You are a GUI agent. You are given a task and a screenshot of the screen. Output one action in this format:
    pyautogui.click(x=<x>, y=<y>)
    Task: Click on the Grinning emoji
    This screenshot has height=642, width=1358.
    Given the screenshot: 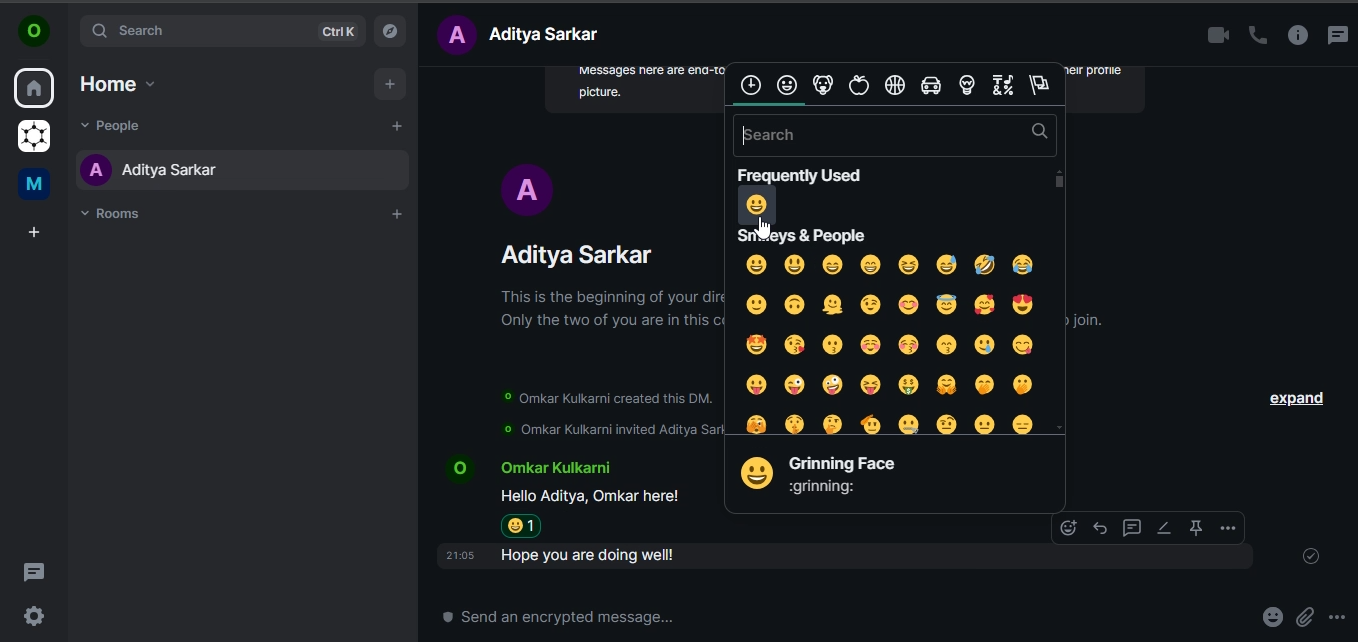 What is the action you would take?
    pyautogui.click(x=754, y=476)
    